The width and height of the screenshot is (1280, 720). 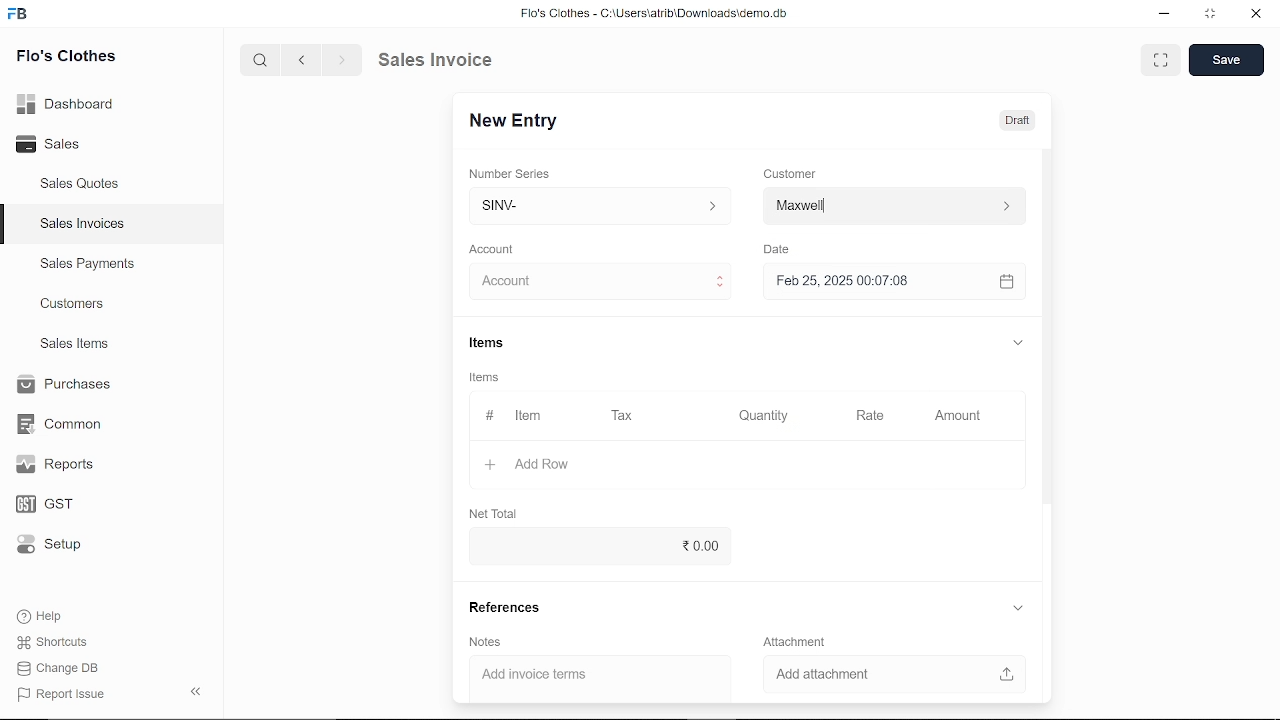 I want to click on minimize, so click(x=1165, y=16).